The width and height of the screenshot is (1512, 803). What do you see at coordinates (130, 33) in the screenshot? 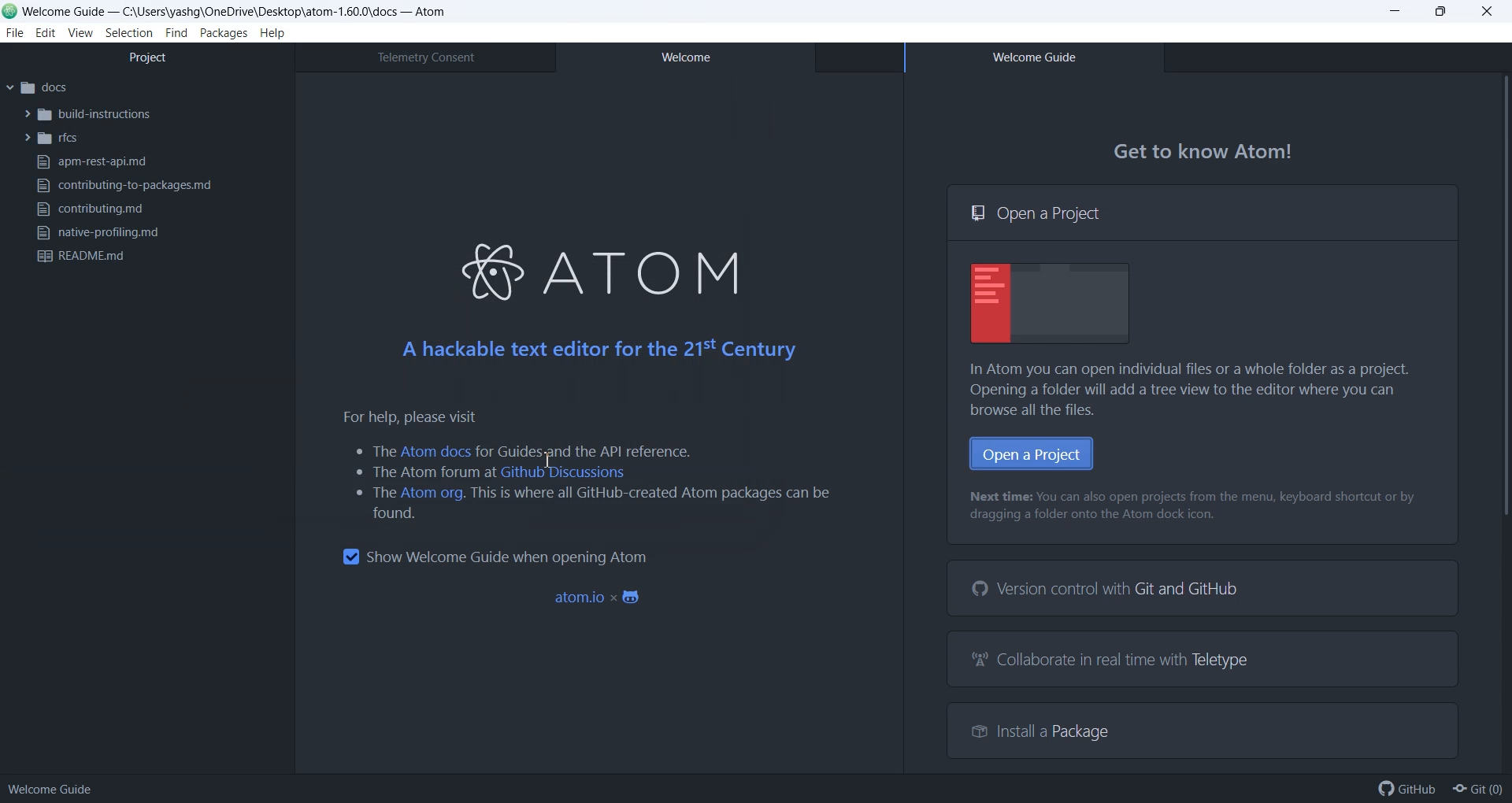
I see `Selection` at bounding box center [130, 33].